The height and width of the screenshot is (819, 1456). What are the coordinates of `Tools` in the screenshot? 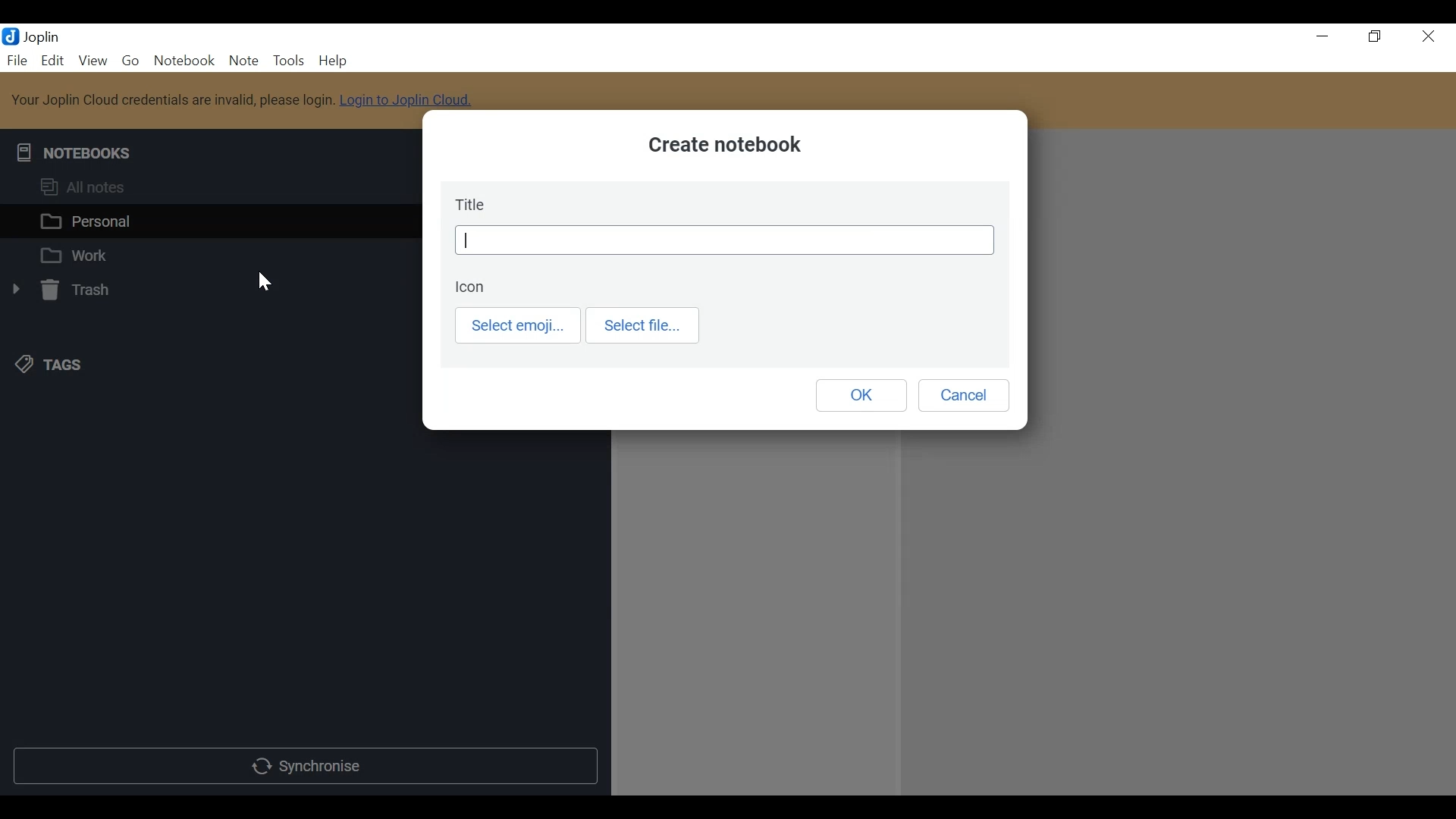 It's located at (287, 61).